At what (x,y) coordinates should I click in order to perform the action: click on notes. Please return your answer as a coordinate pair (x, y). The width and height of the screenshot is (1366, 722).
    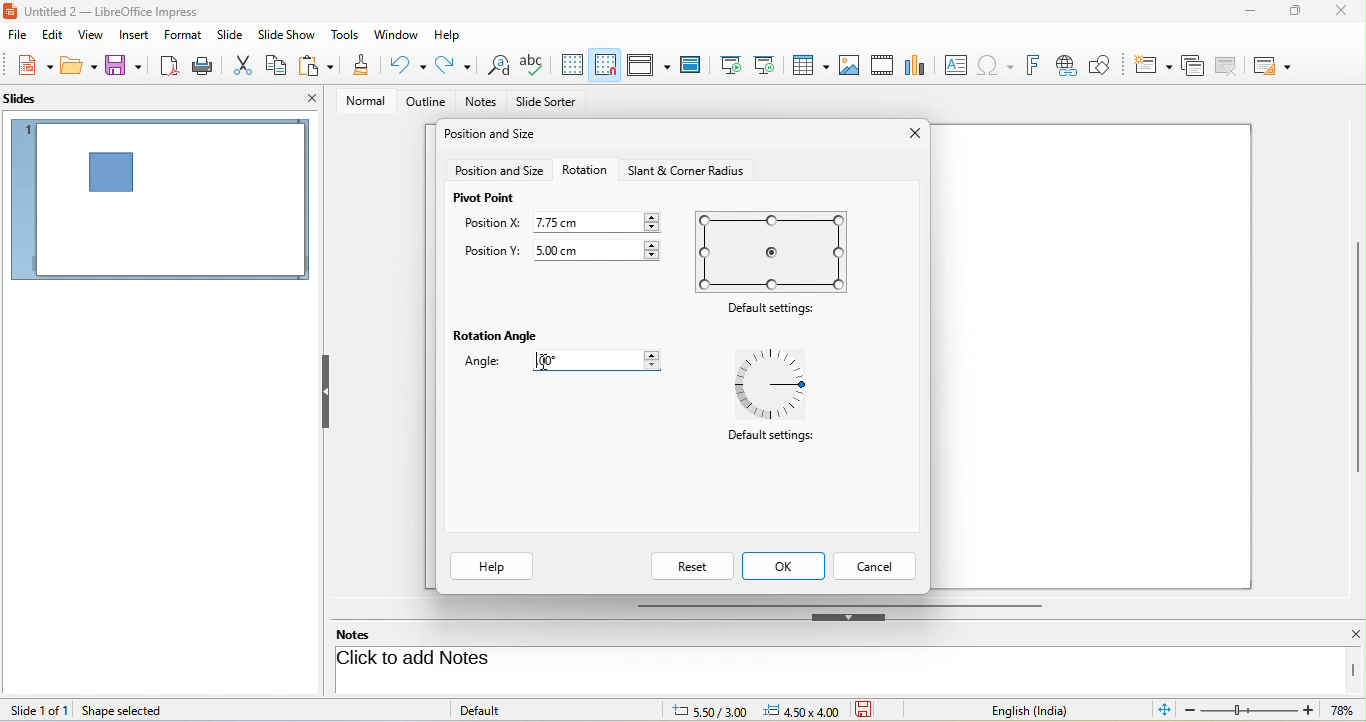
    Looking at the image, I should click on (366, 634).